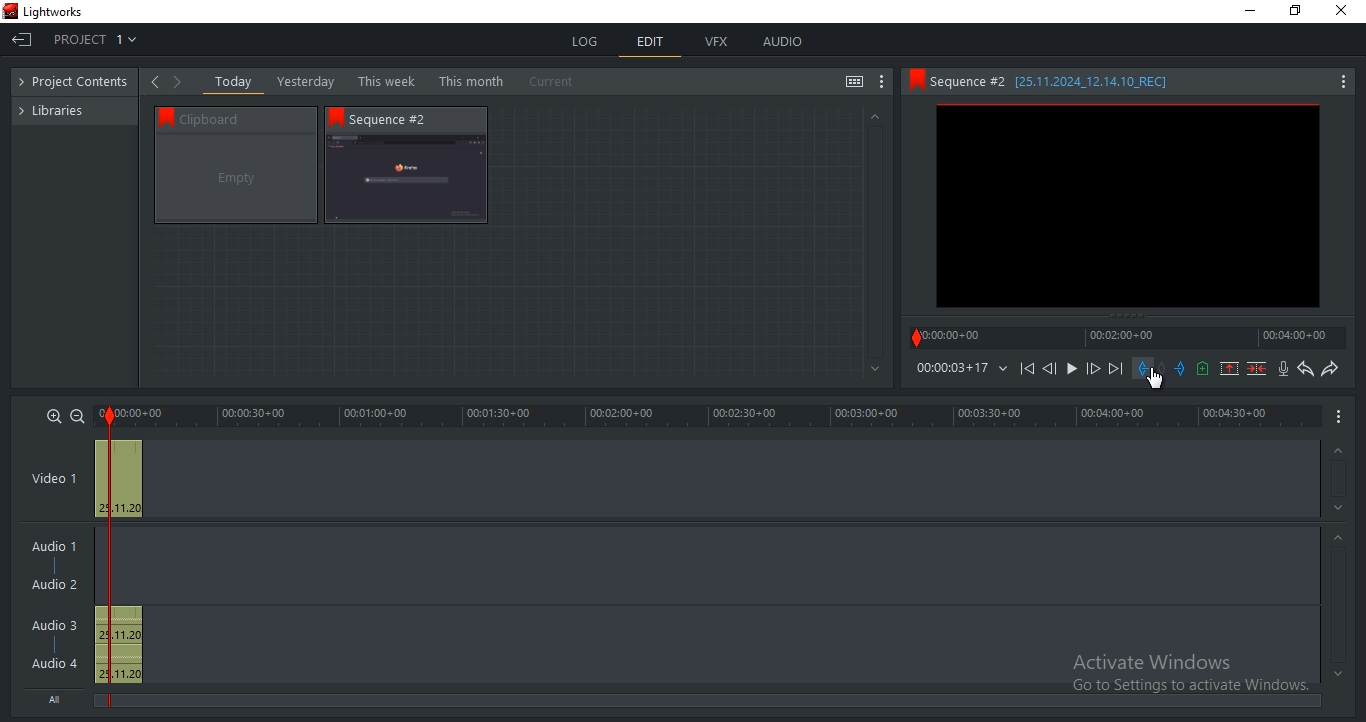 This screenshot has width=1366, height=722. Describe the element at coordinates (93, 39) in the screenshot. I see `project 1: Drop down` at that location.